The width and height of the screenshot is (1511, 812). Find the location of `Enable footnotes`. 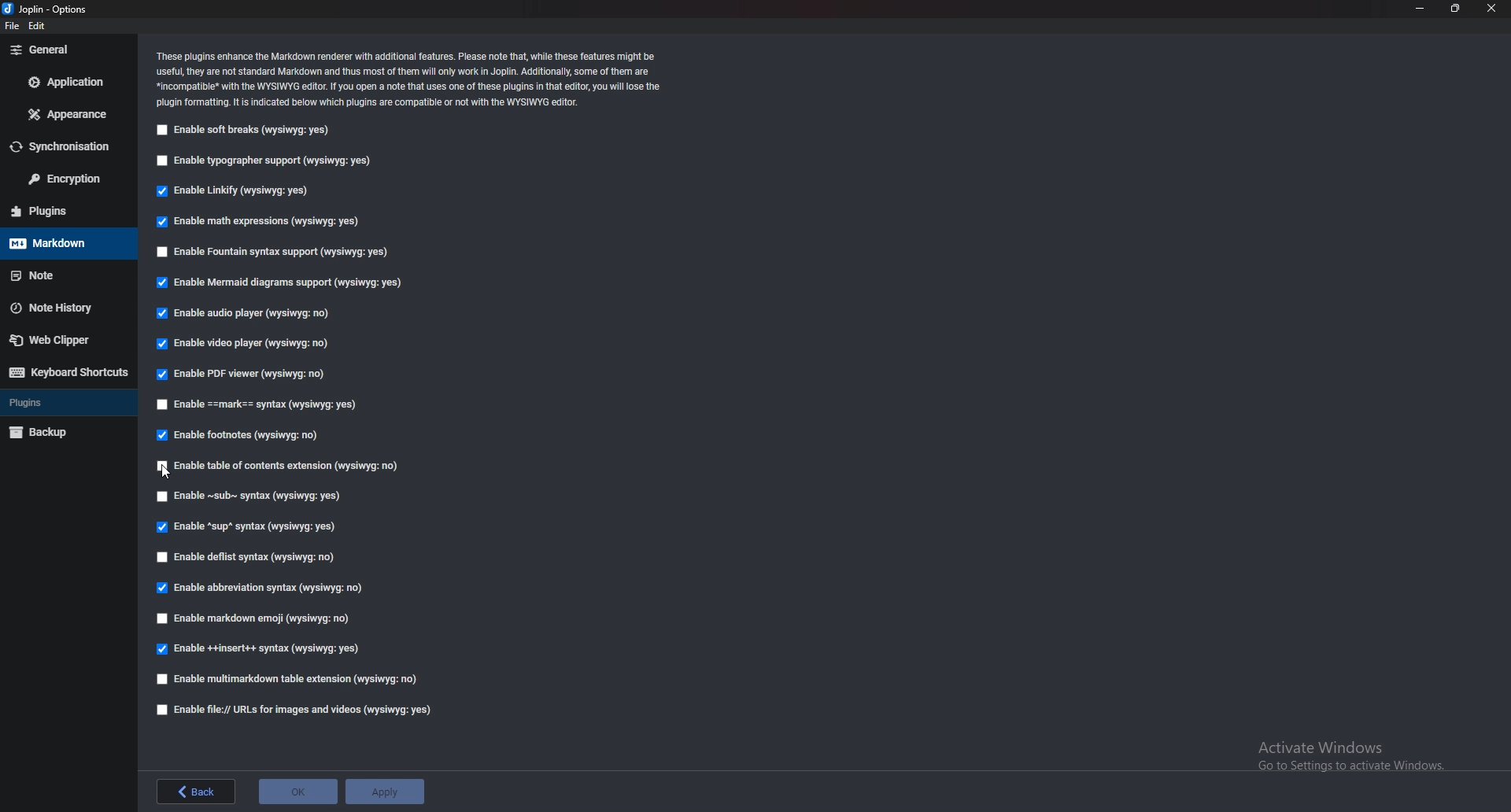

Enable footnotes is located at coordinates (242, 434).